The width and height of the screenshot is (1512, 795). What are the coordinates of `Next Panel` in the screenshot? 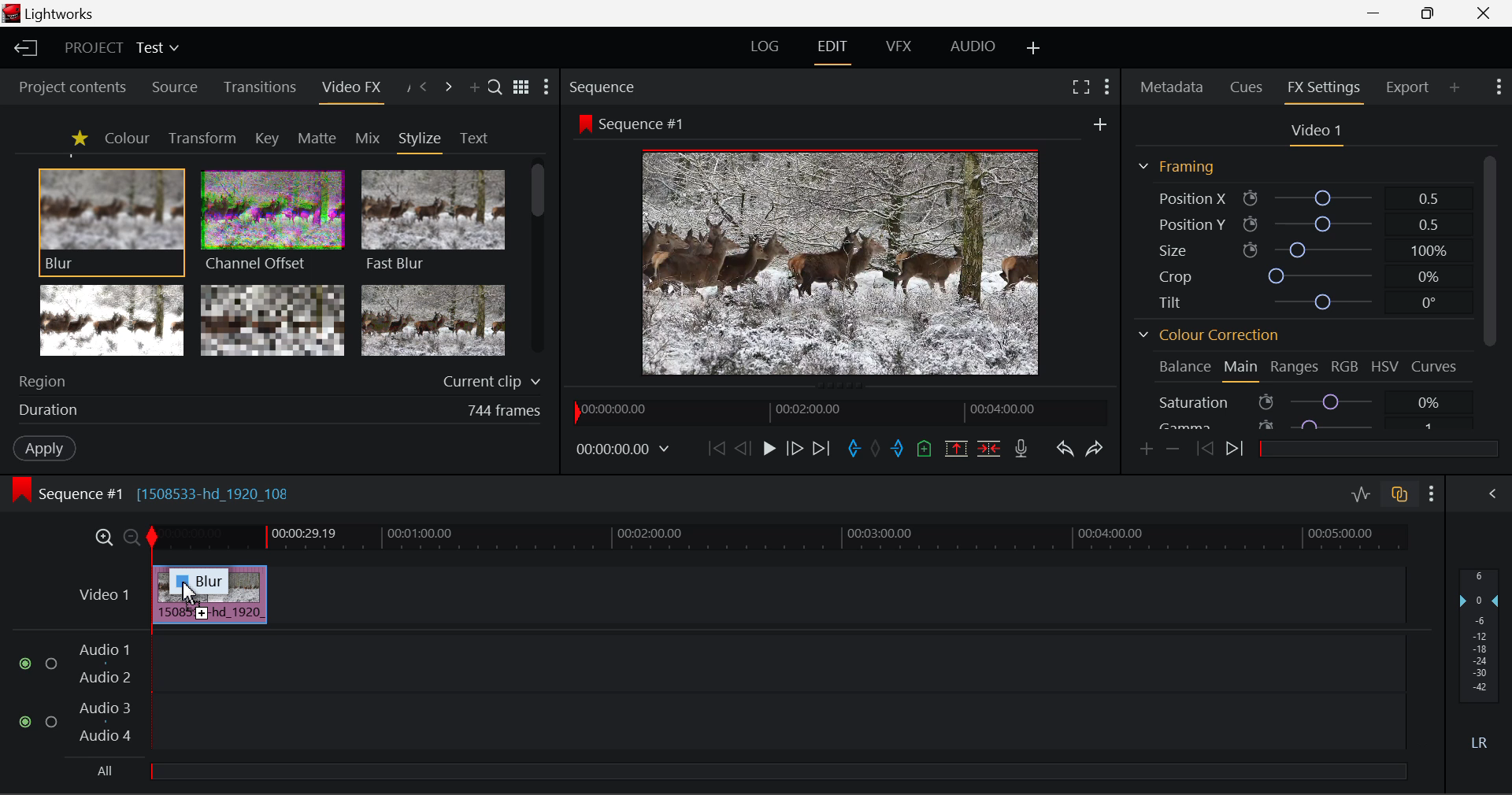 It's located at (449, 87).